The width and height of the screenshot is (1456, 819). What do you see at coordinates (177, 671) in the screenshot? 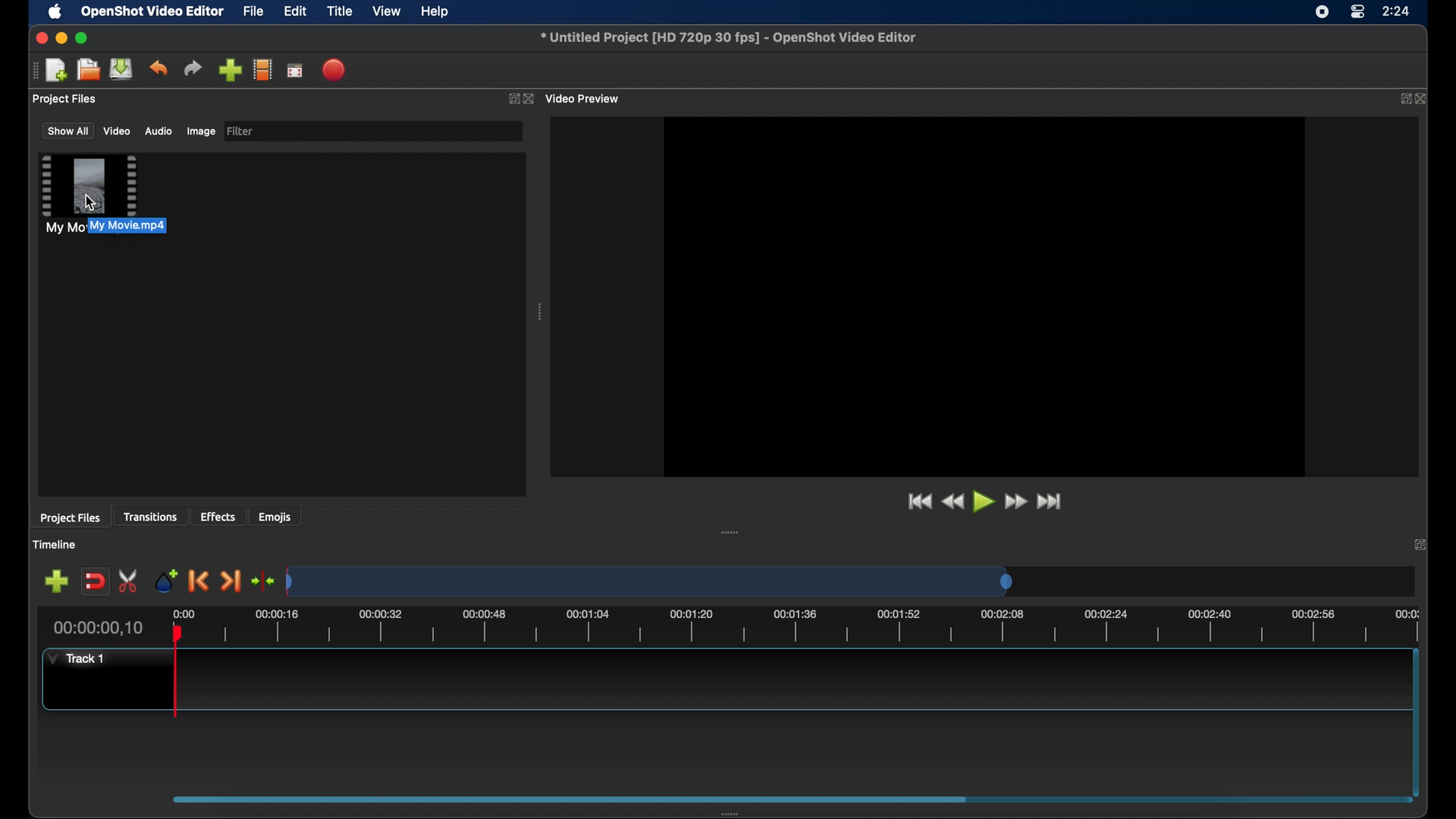
I see `playhead` at bounding box center [177, 671].